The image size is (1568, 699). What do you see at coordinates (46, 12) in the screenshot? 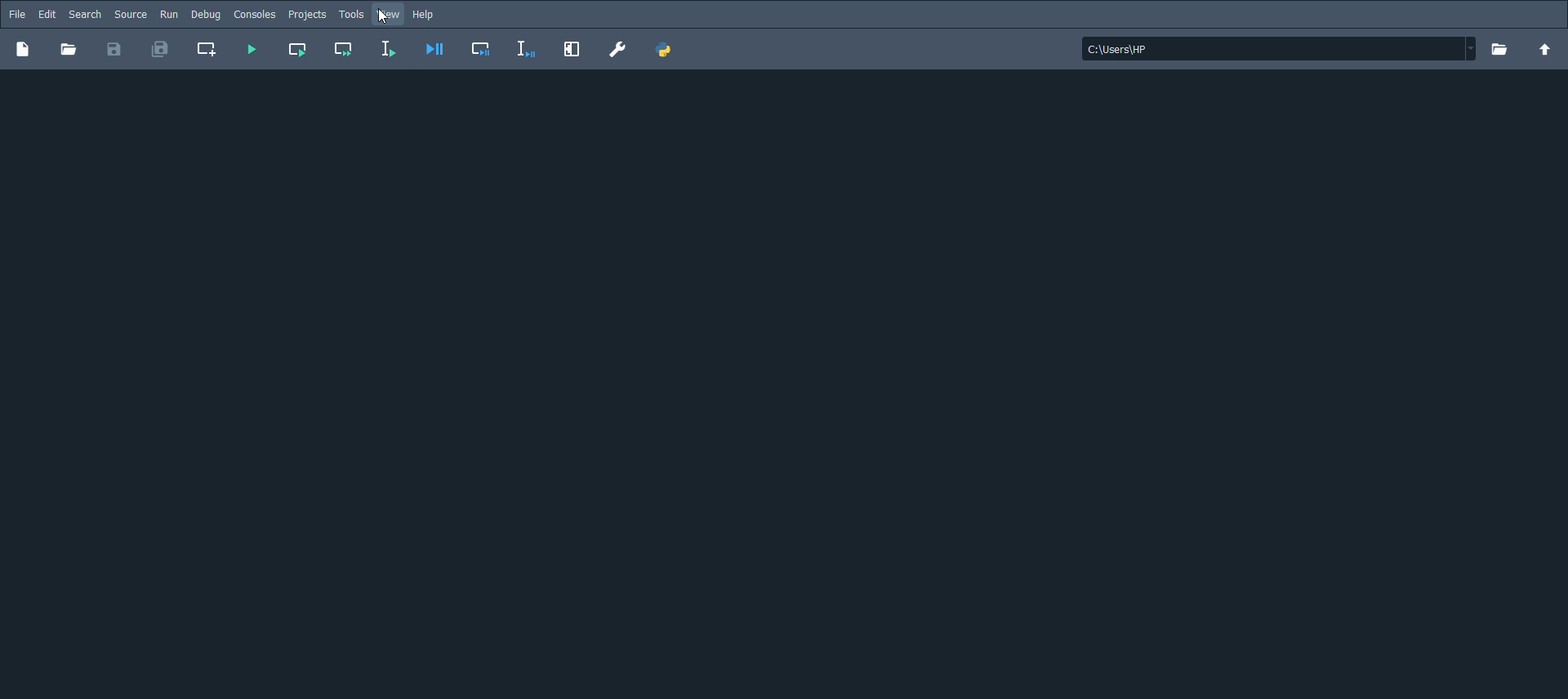
I see `Edit` at bounding box center [46, 12].